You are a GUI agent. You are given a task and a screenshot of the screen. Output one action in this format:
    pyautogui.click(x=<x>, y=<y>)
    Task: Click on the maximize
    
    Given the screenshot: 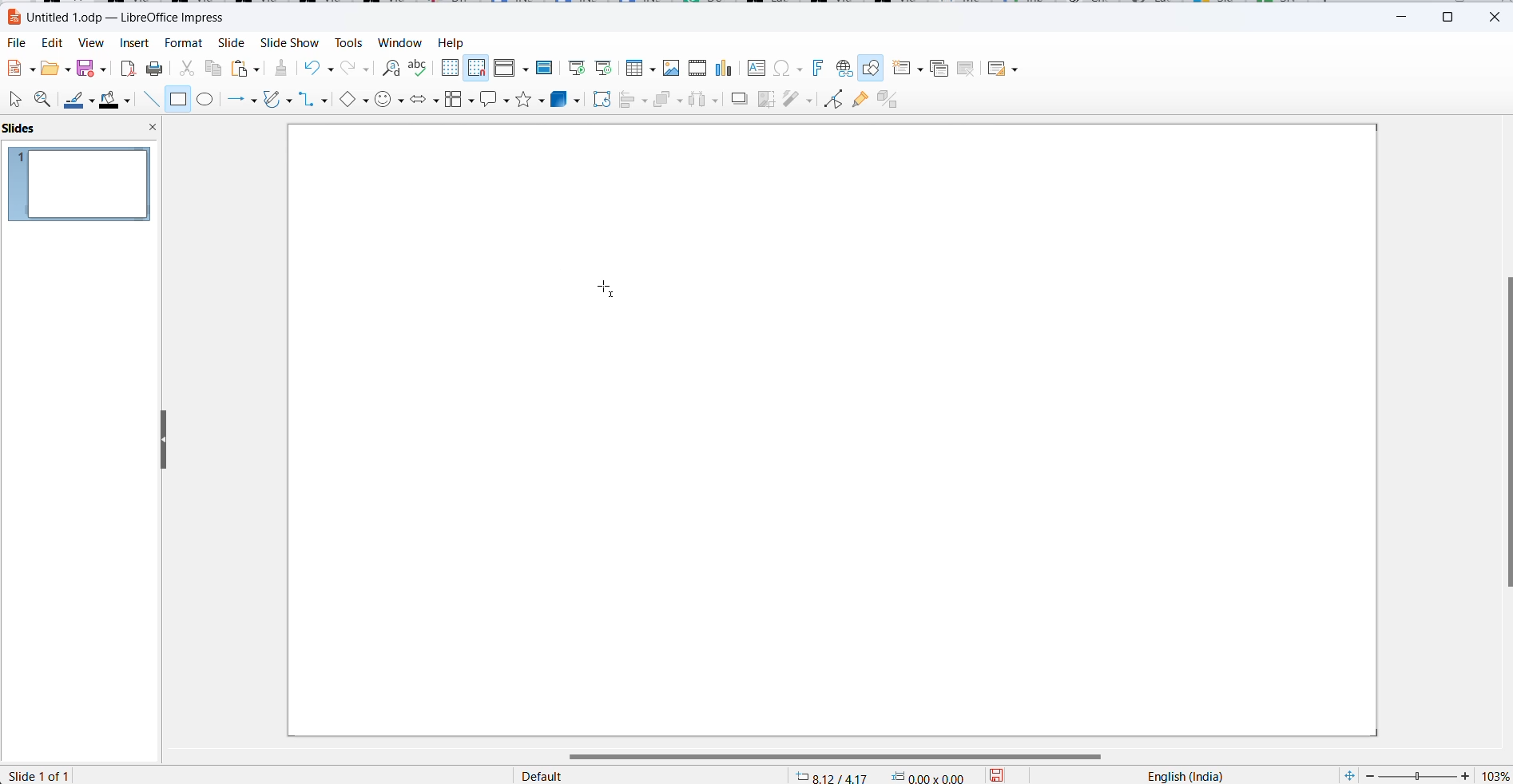 What is the action you would take?
    pyautogui.click(x=1453, y=15)
    